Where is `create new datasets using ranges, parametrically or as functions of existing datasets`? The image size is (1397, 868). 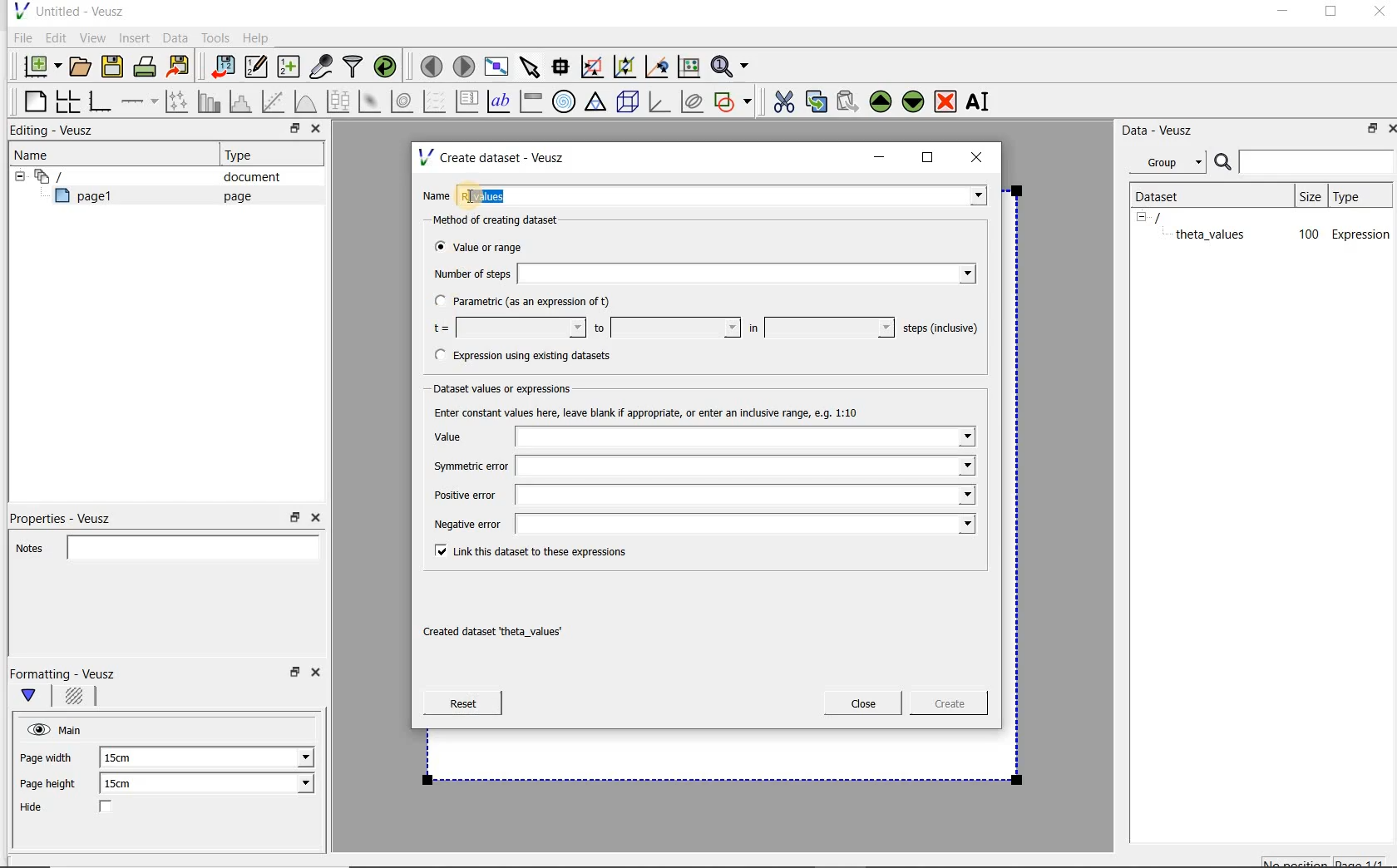 create new datasets using ranges, parametrically or as functions of existing datasets is located at coordinates (289, 67).